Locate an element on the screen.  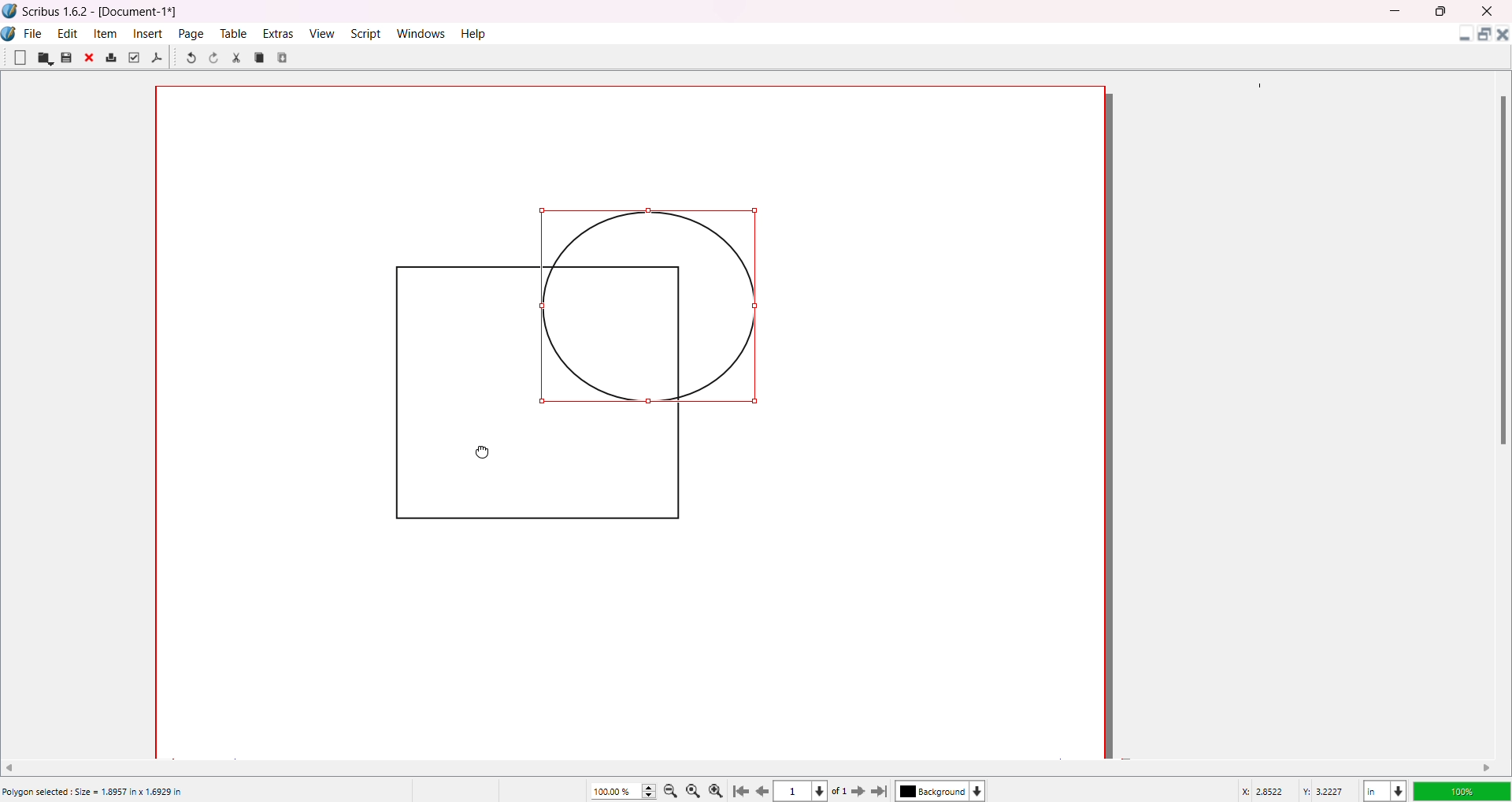
Logo is located at coordinates (10, 11).